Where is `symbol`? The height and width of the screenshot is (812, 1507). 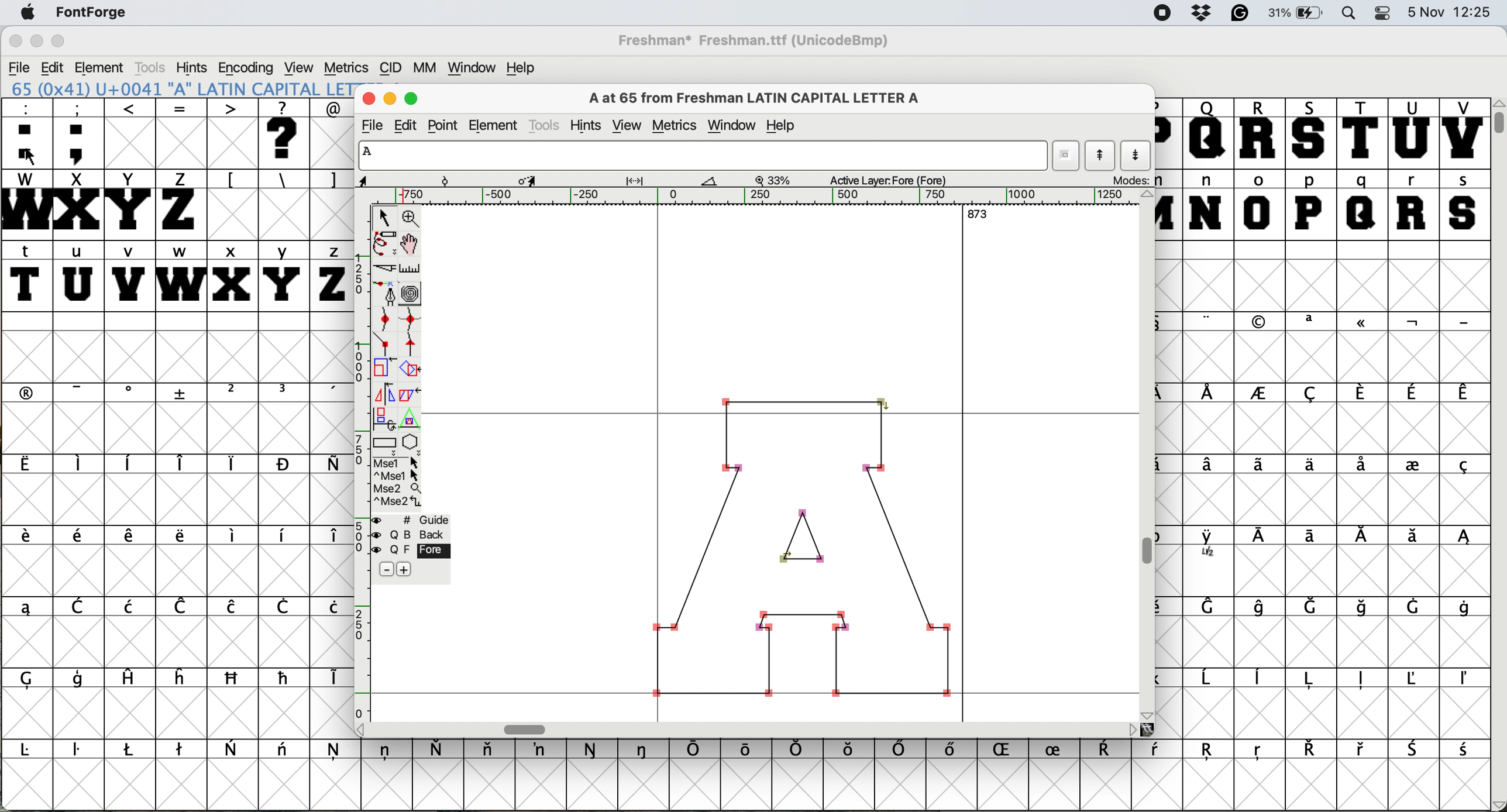
symbol is located at coordinates (1210, 393).